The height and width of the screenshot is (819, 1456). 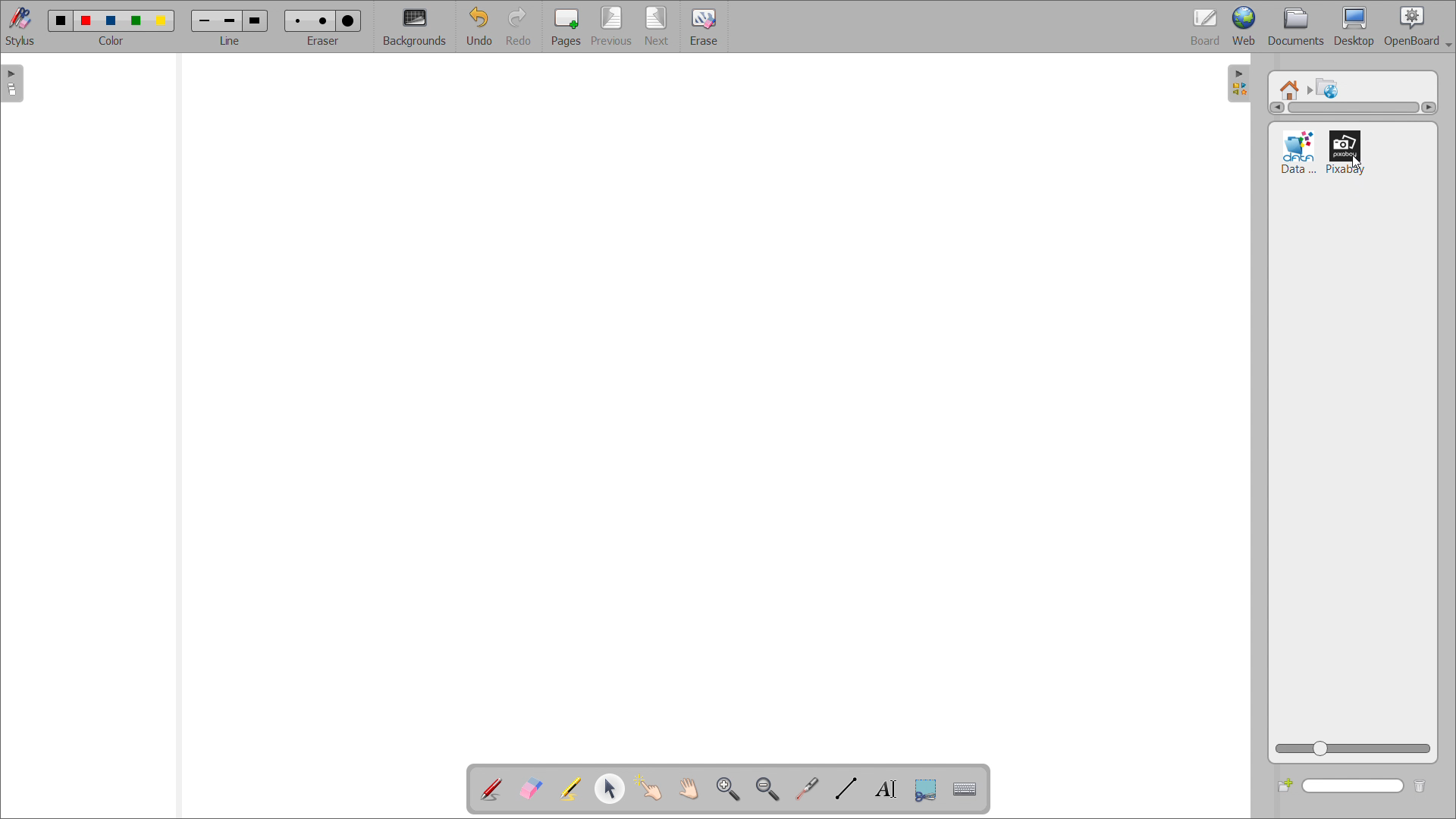 I want to click on zoom in, so click(x=728, y=788).